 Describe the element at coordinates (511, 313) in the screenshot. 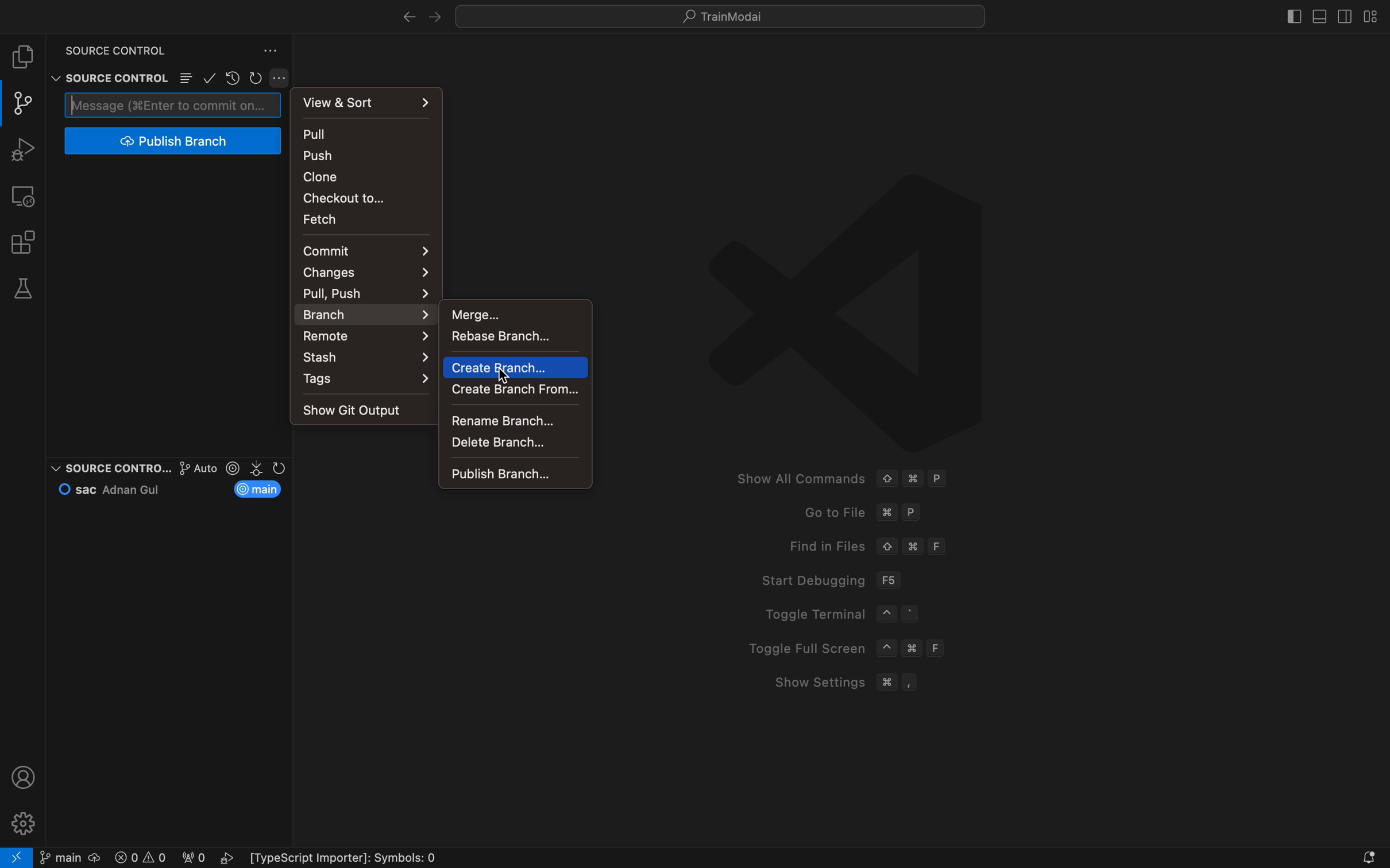

I see `merge` at that location.